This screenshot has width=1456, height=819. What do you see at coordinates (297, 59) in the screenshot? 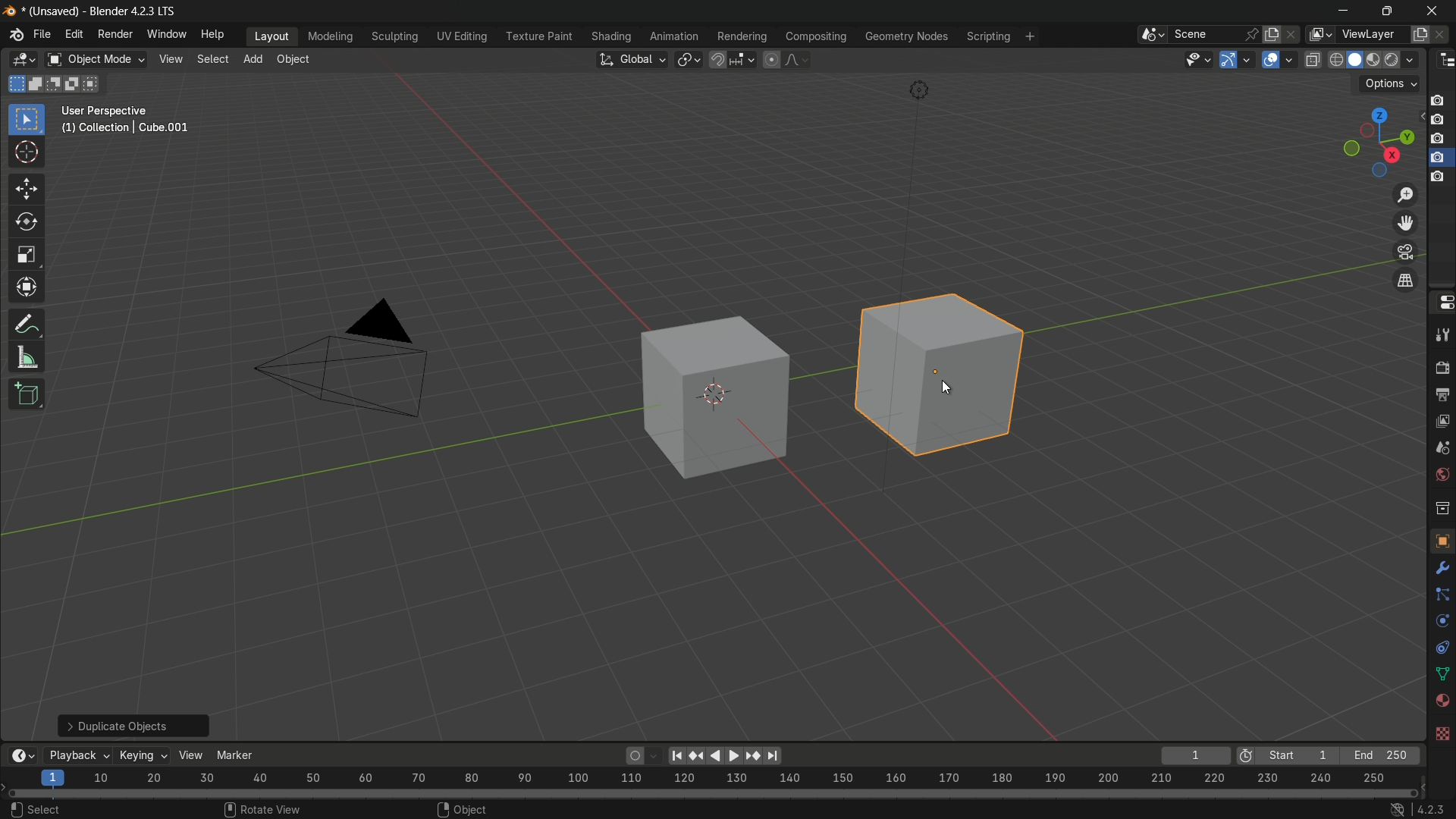
I see `object tab` at bounding box center [297, 59].